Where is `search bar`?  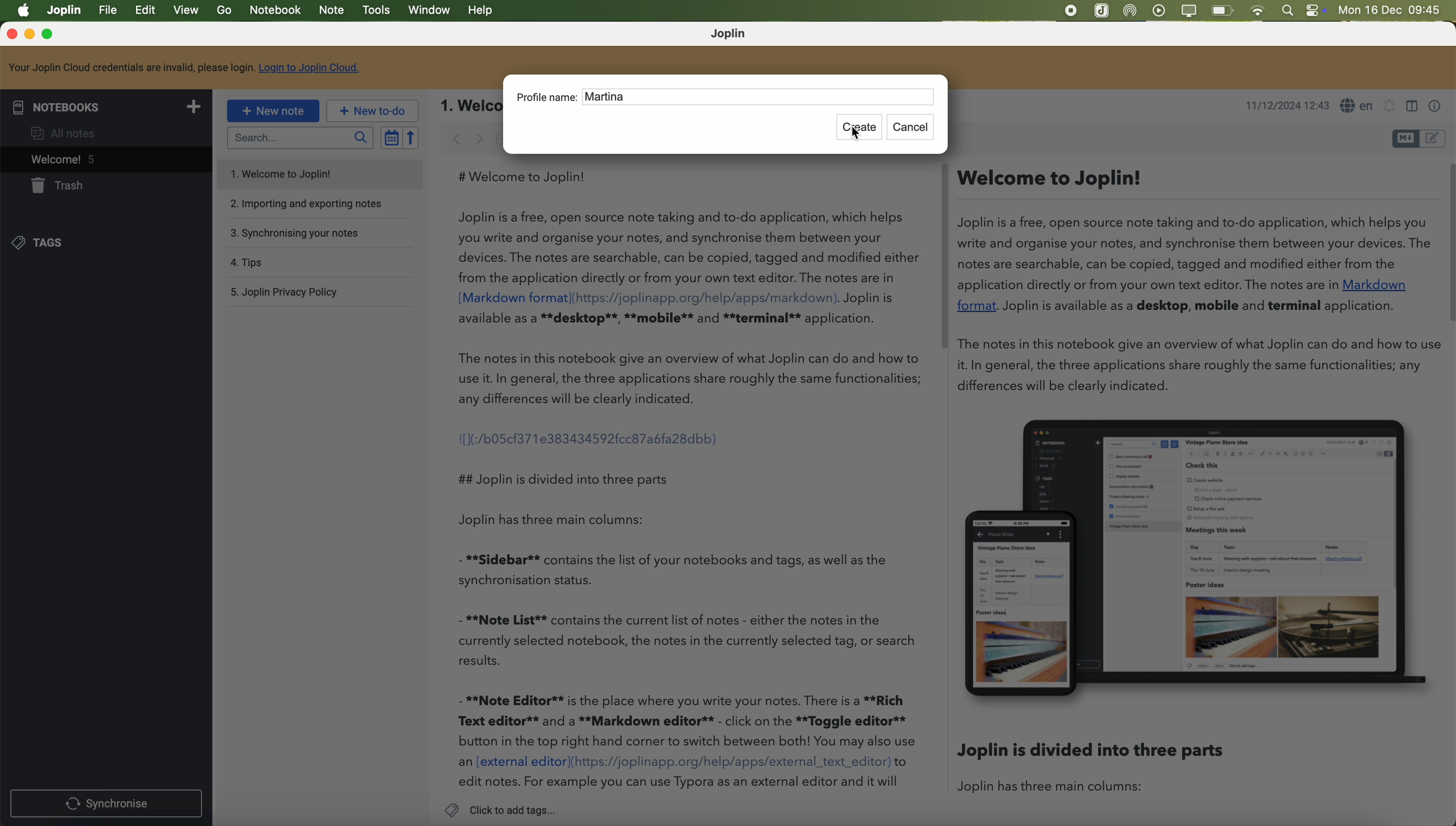
search bar is located at coordinates (299, 137).